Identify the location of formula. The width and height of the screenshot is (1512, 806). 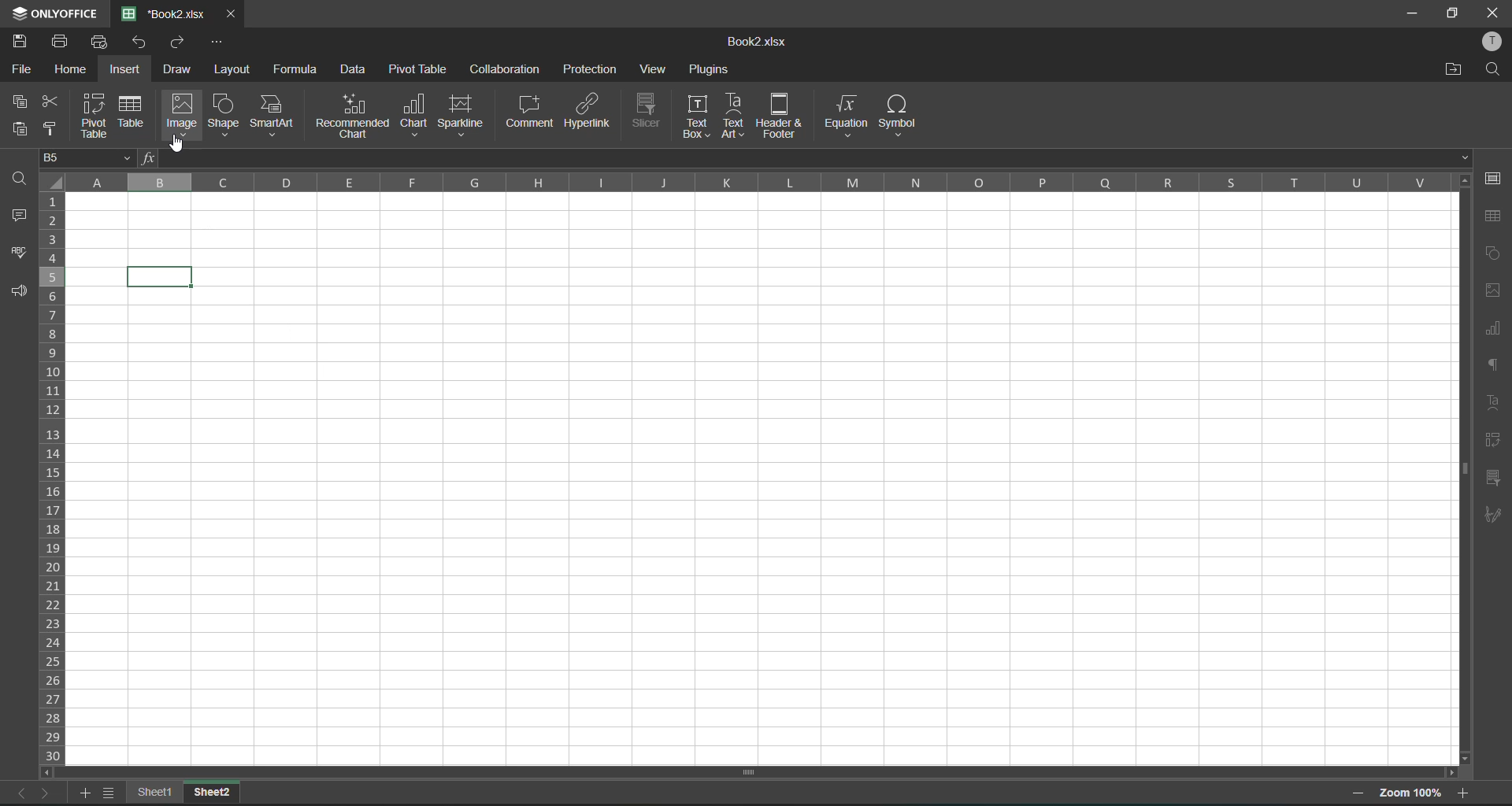
(302, 72).